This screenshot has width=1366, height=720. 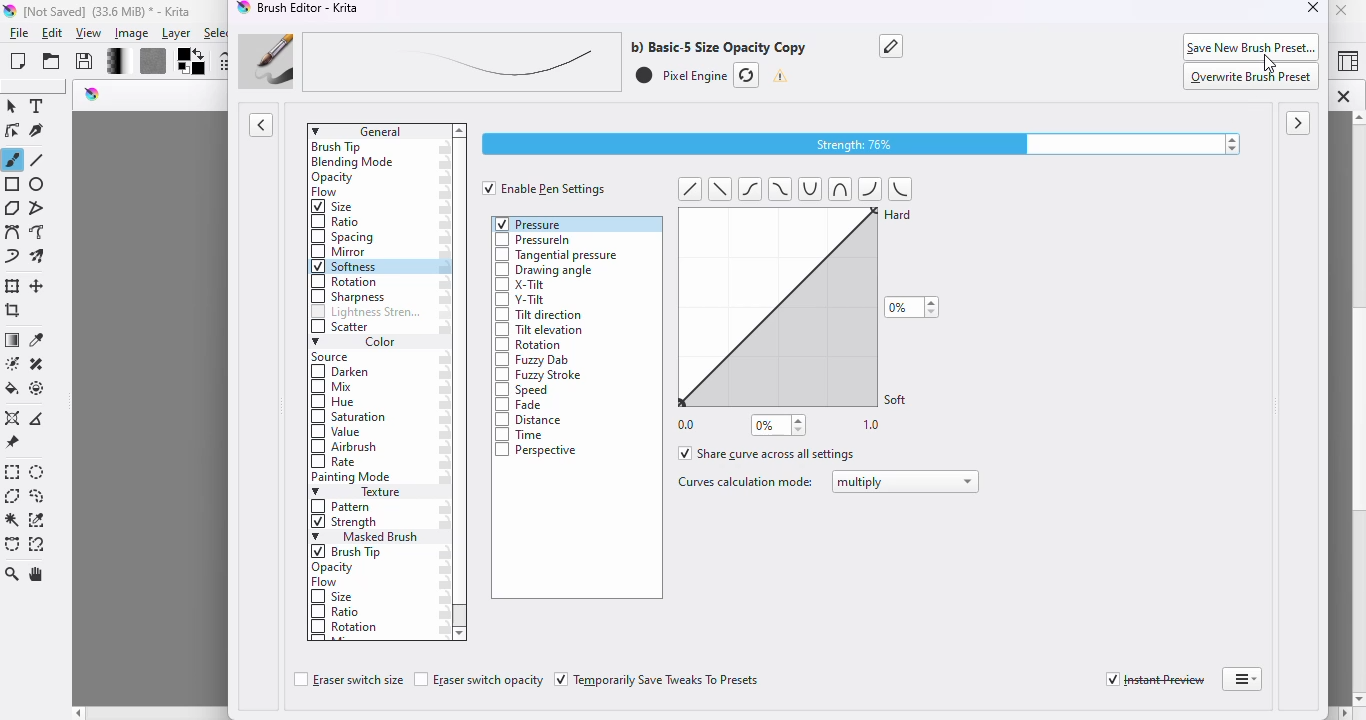 What do you see at coordinates (12, 418) in the screenshot?
I see `assistant tool` at bounding box center [12, 418].